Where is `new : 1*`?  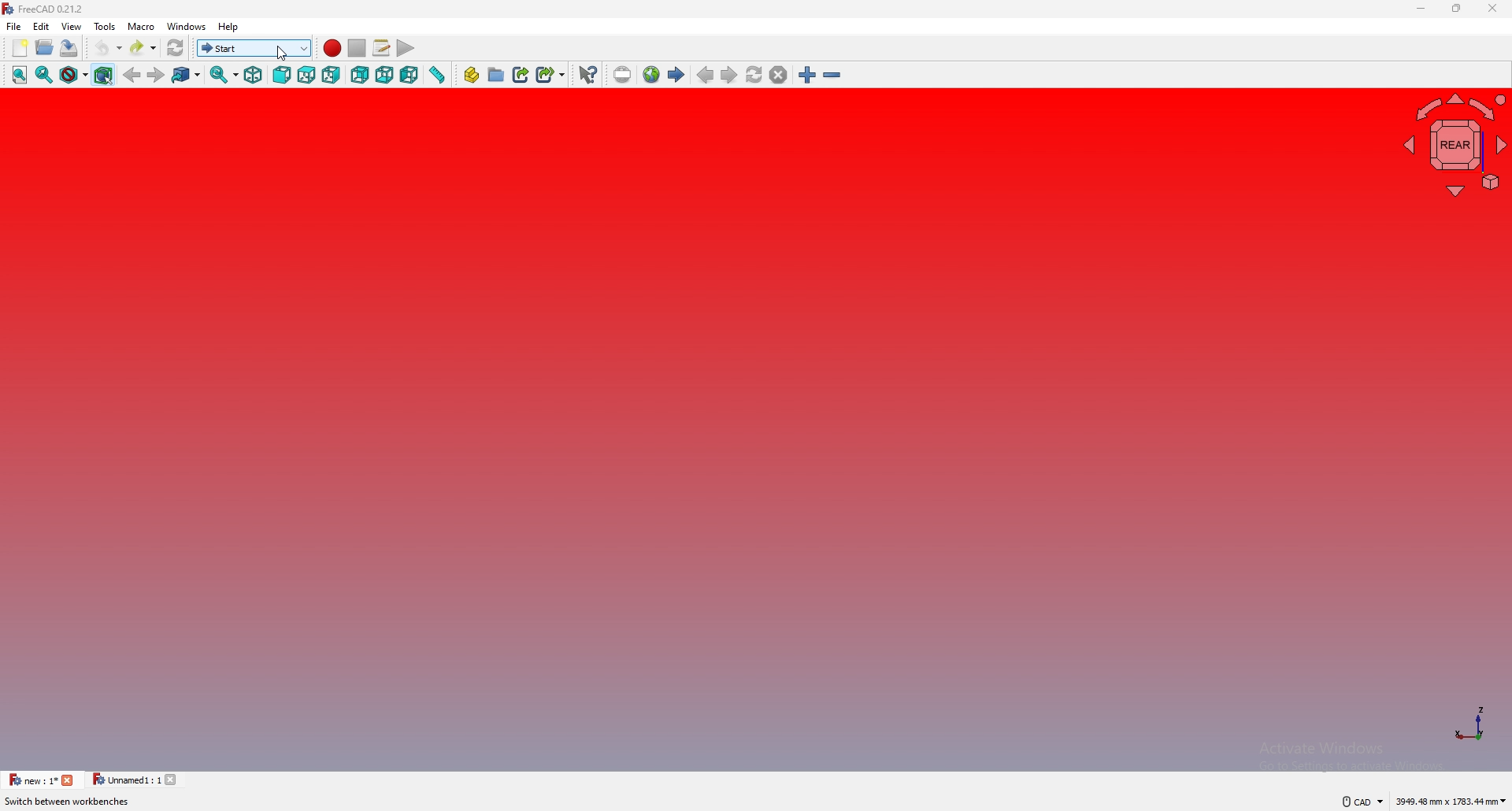
new : 1* is located at coordinates (32, 780).